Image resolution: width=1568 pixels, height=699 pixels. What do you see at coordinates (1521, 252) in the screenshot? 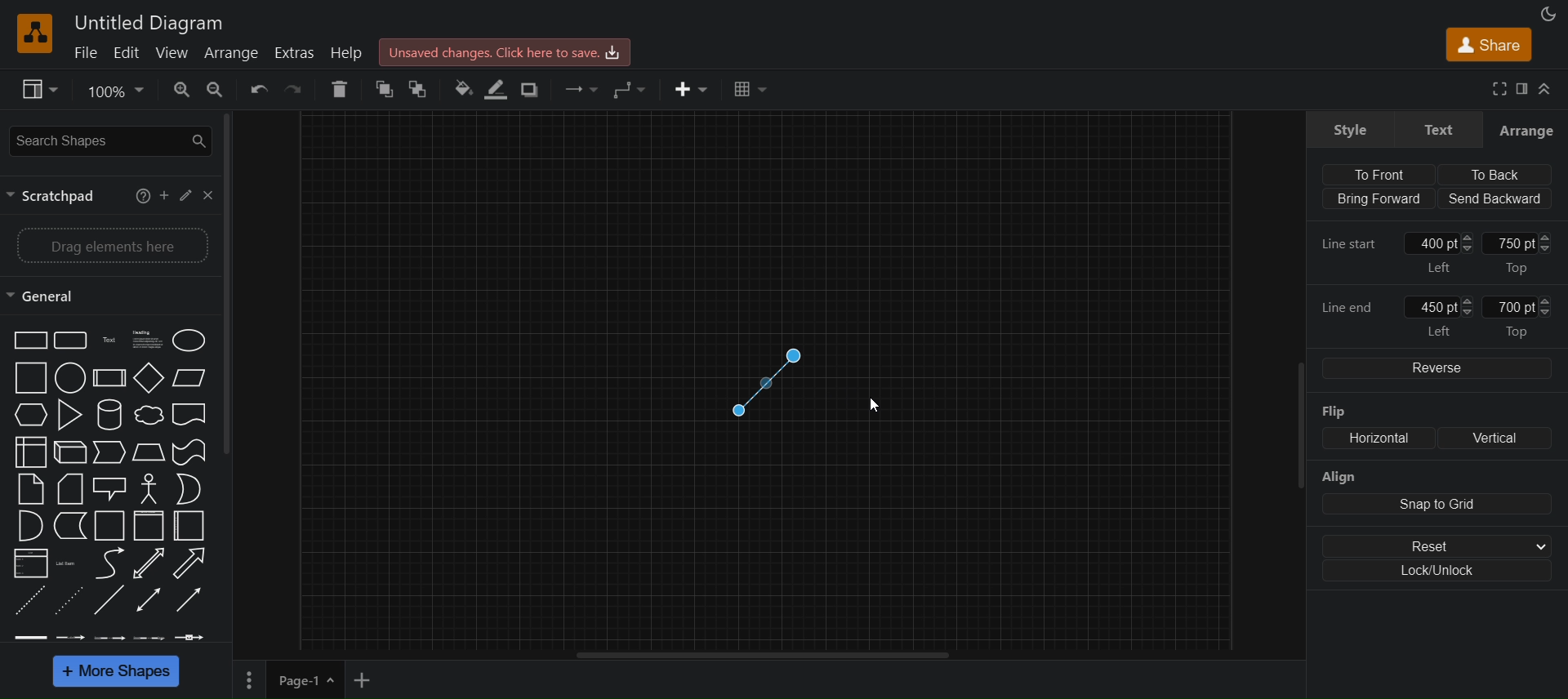
I see `750 pt top` at bounding box center [1521, 252].